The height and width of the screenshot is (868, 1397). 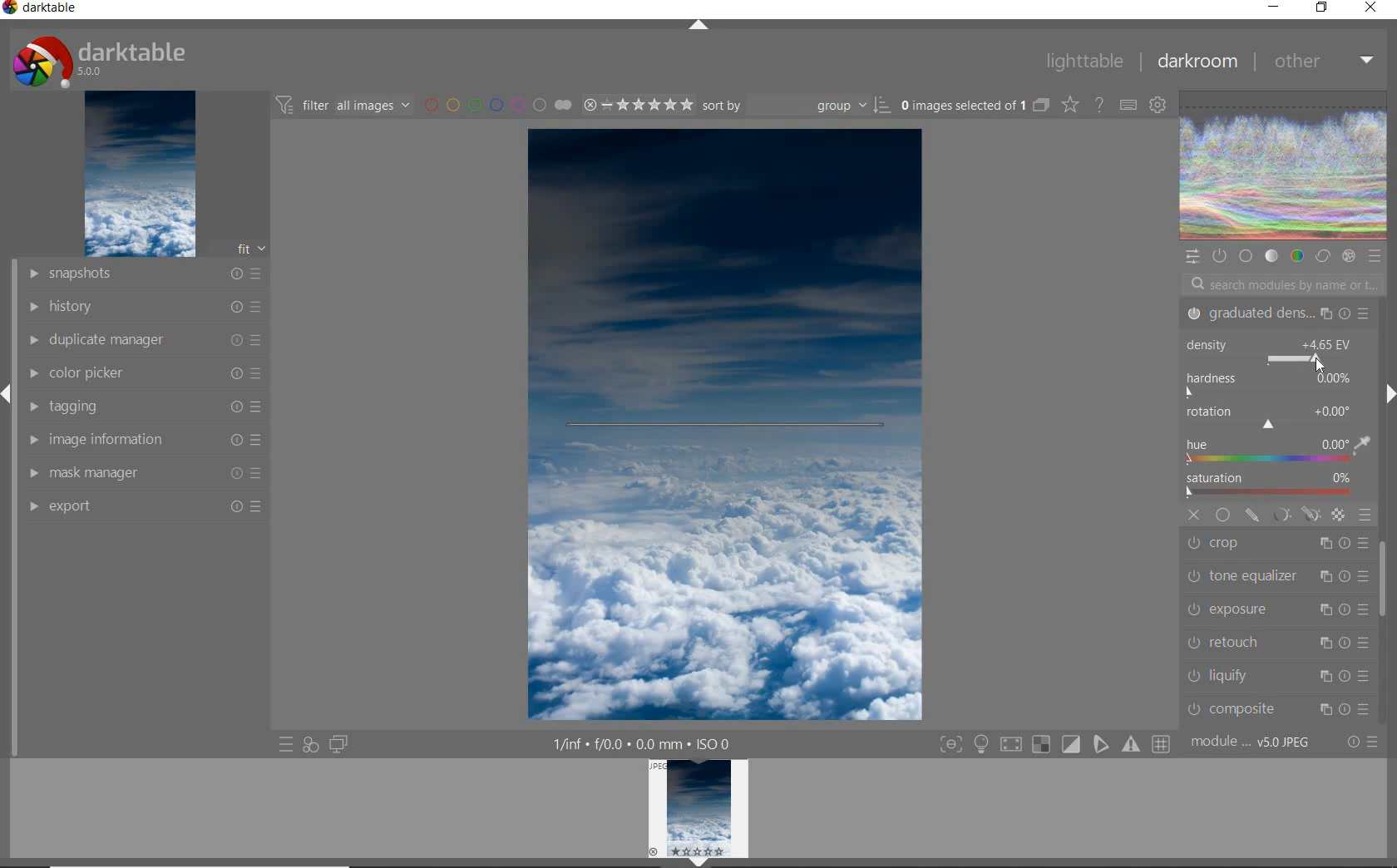 I want to click on HUE, so click(x=1278, y=452).